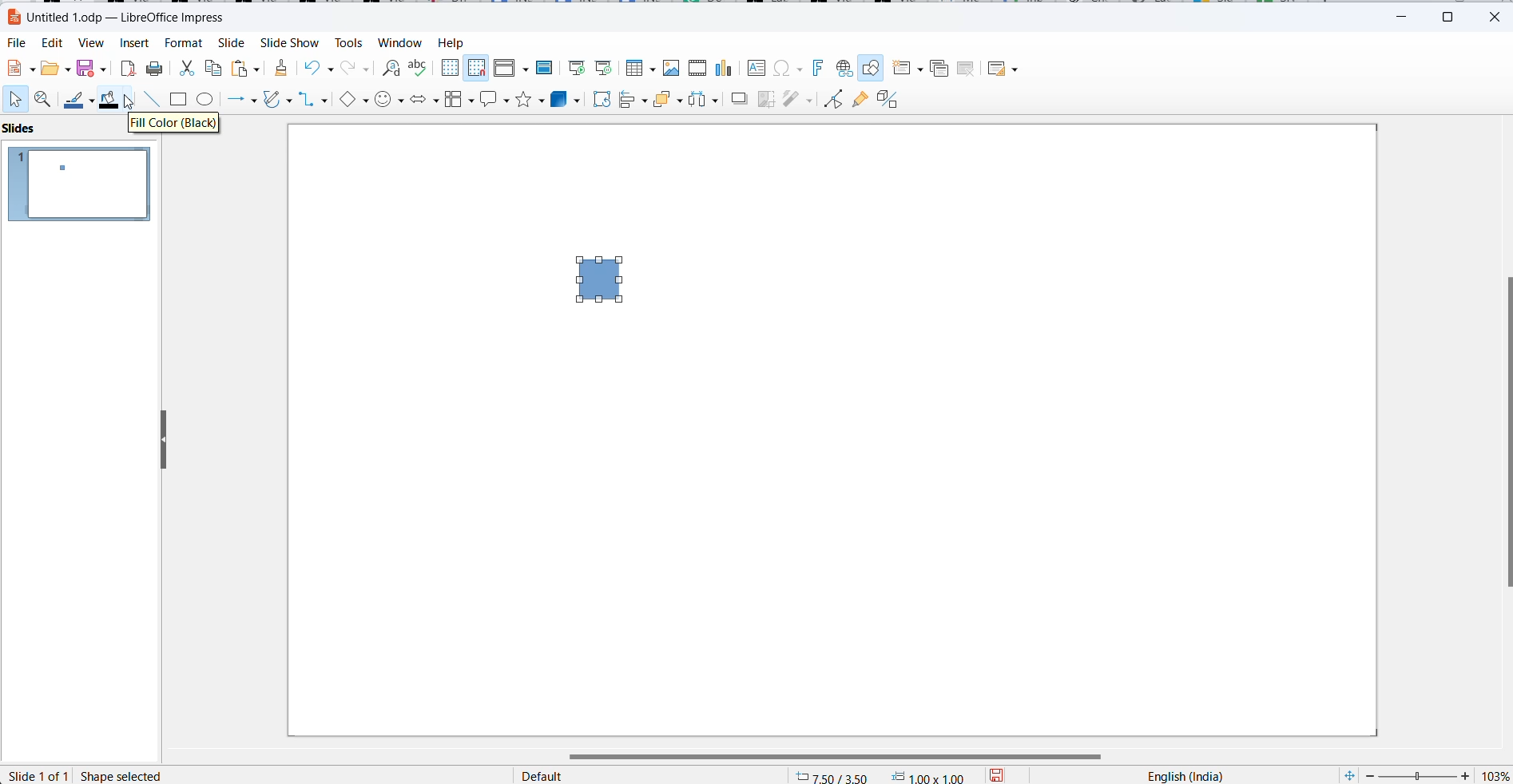 The image size is (1513, 784). I want to click on Toggle extrusion, so click(892, 100).